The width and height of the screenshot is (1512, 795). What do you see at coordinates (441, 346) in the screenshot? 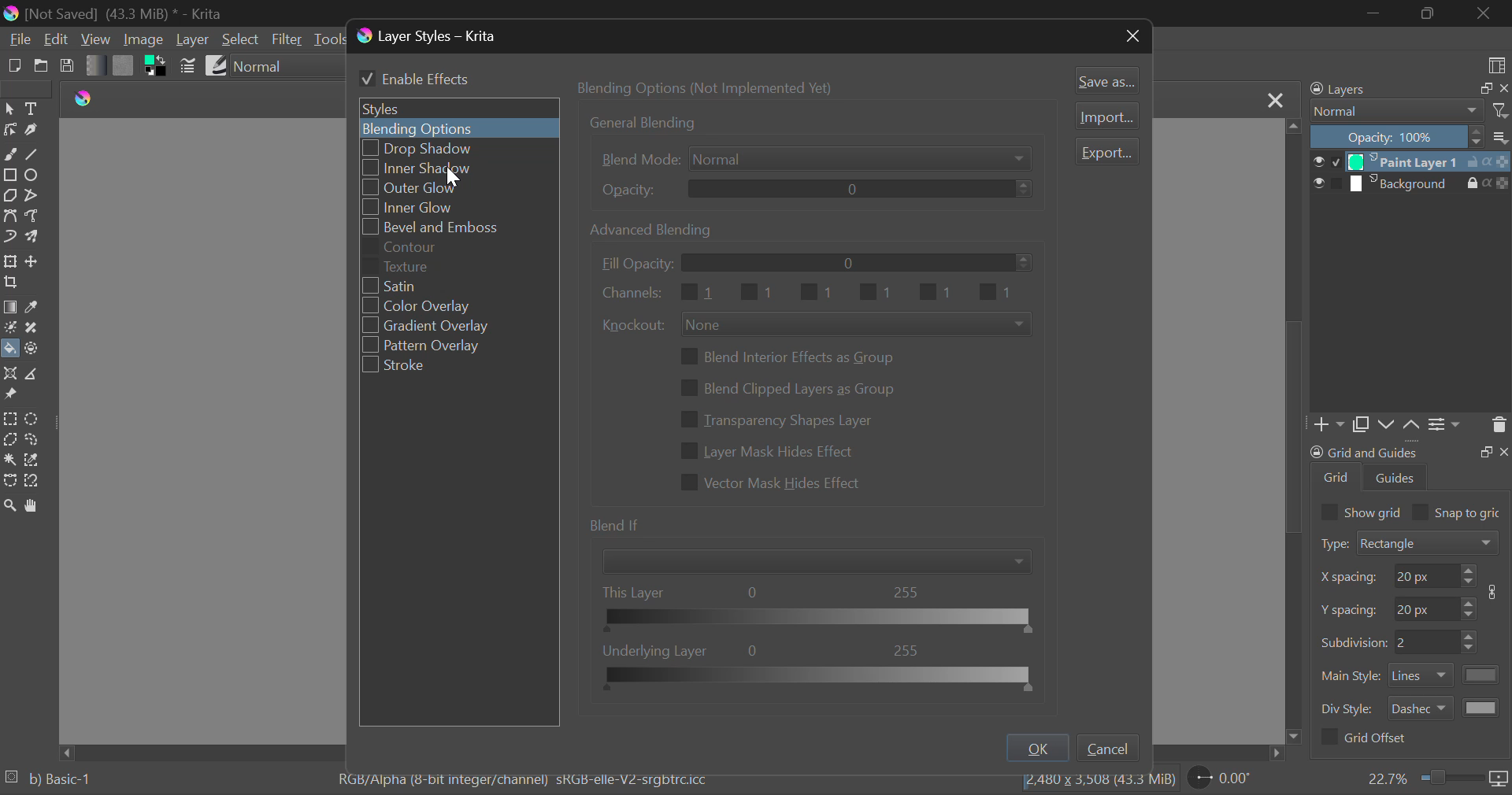
I see `Pattern Overlay` at bounding box center [441, 346].